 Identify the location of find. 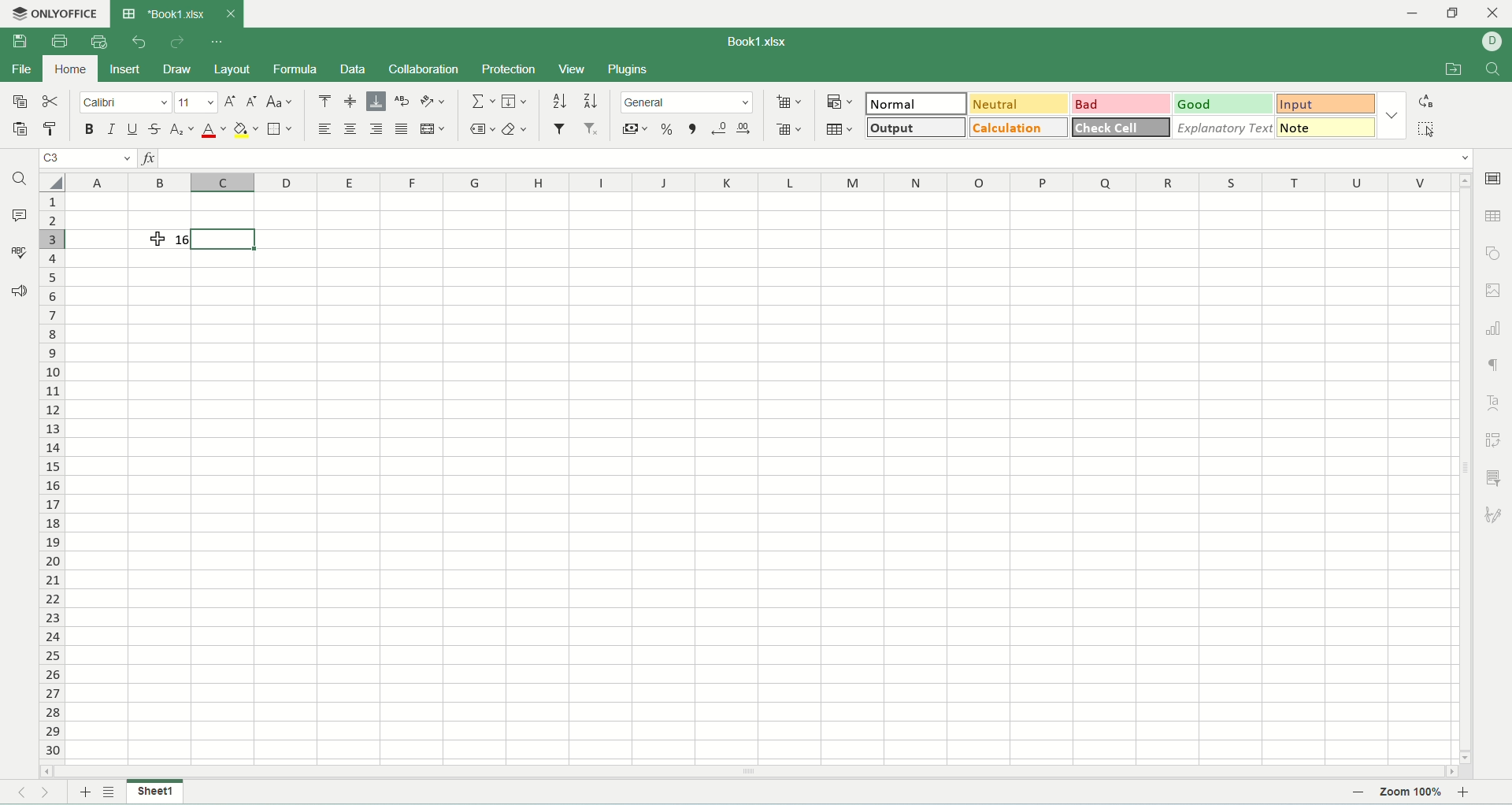
(18, 180).